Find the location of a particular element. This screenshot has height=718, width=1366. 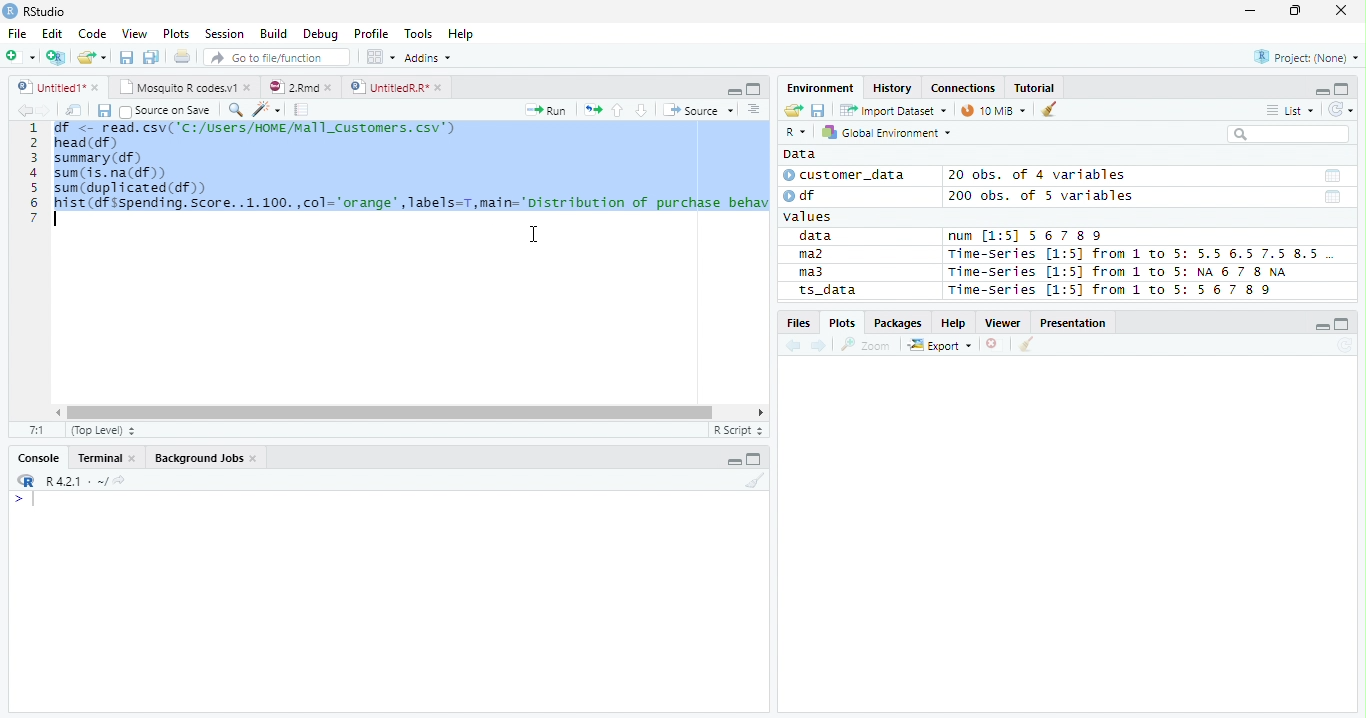

Plots is located at coordinates (176, 34).